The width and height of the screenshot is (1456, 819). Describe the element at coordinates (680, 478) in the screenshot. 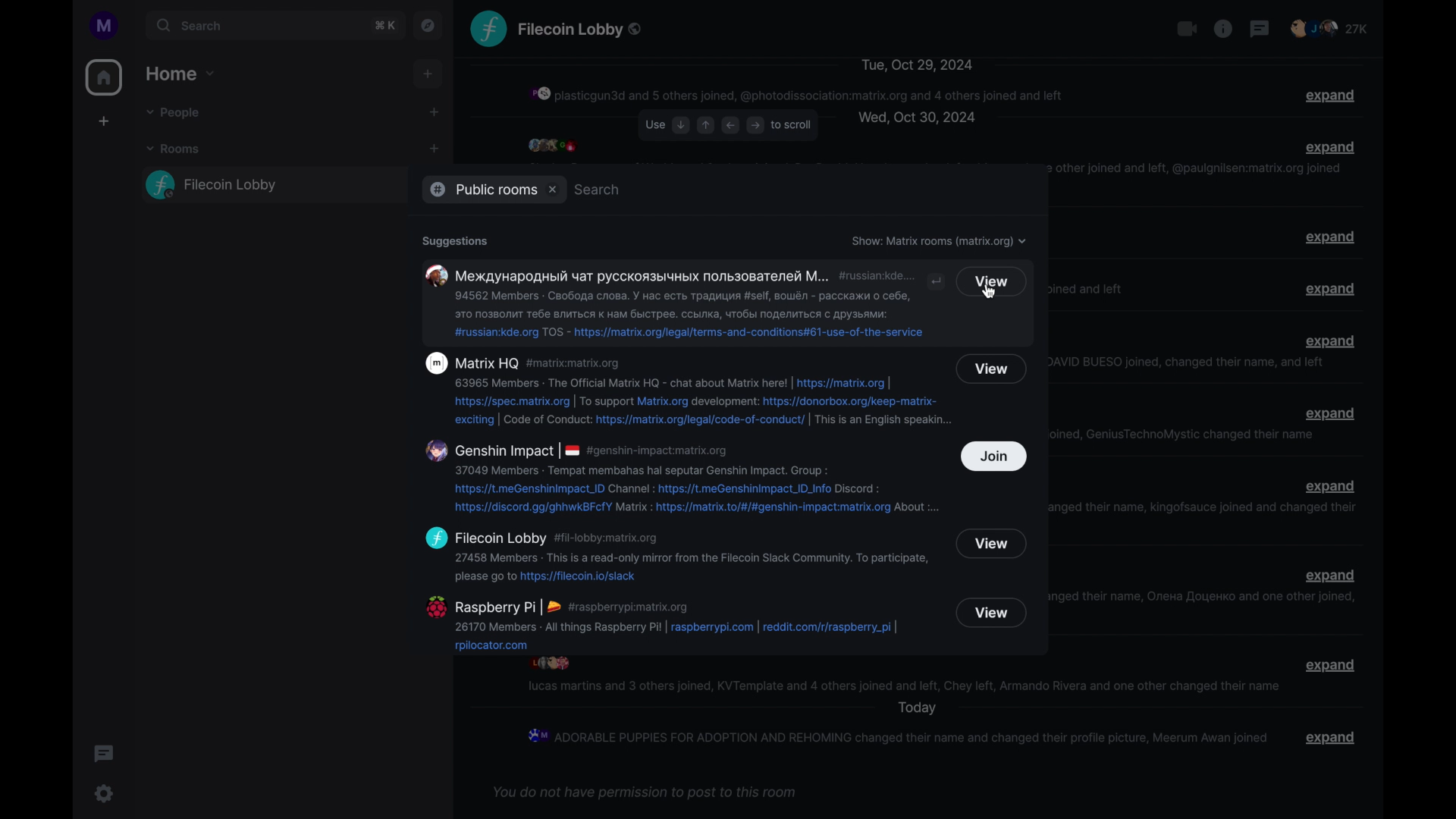

I see `Genshin Impact | as #genshin-impactmatrix.org

37049 Members - Tempat membahas hal seputar Genshin Impact. Group :
https://t.meGenshinimpact_ID Channel : https://t.meGenshinimpact_ID_Info Discord :
https://discord.gg/ghhwkBFcfY Matrix : https://matrix.to/#/#genshin-impact:matrix.org About ...` at that location.